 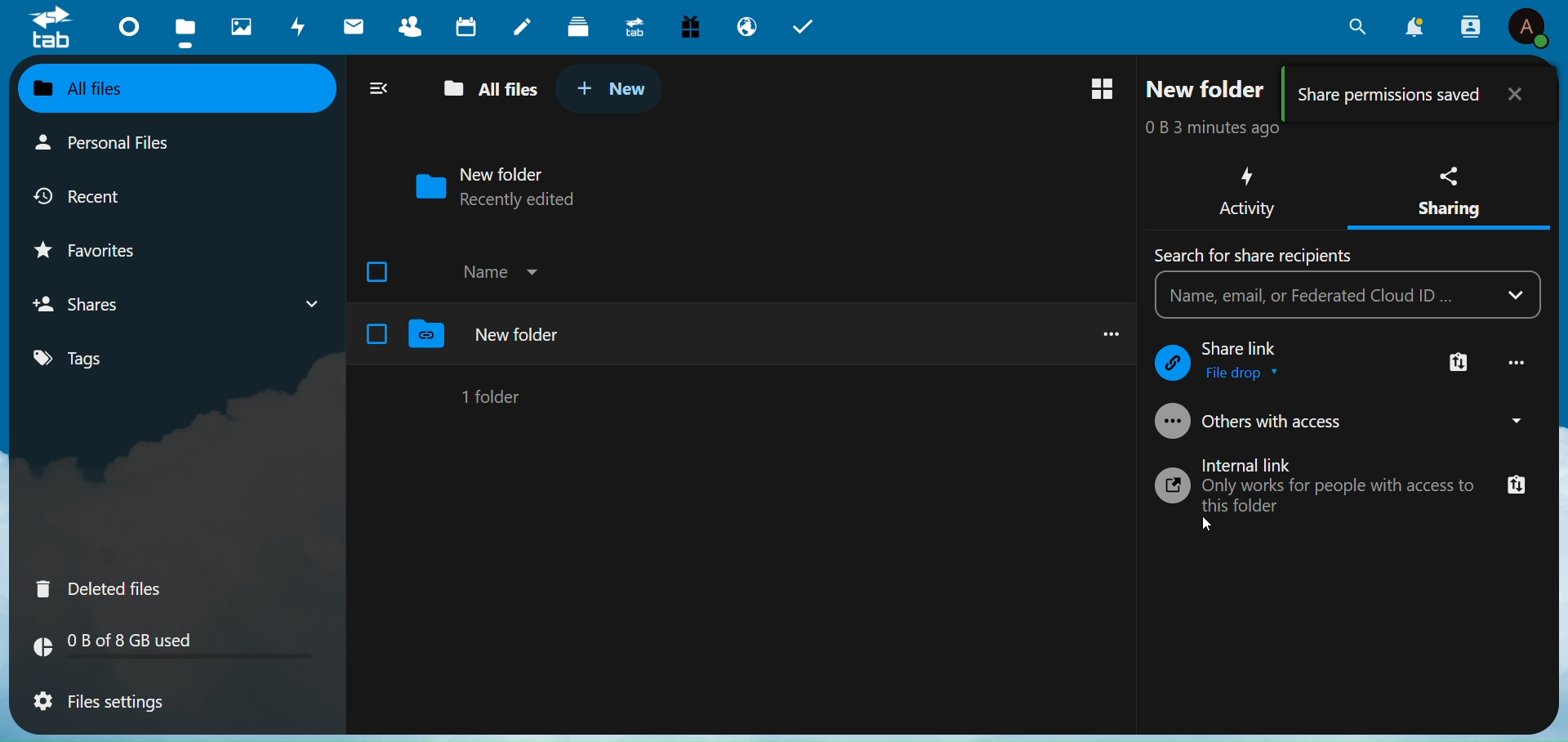 I want to click on New Folder, so click(x=506, y=172).